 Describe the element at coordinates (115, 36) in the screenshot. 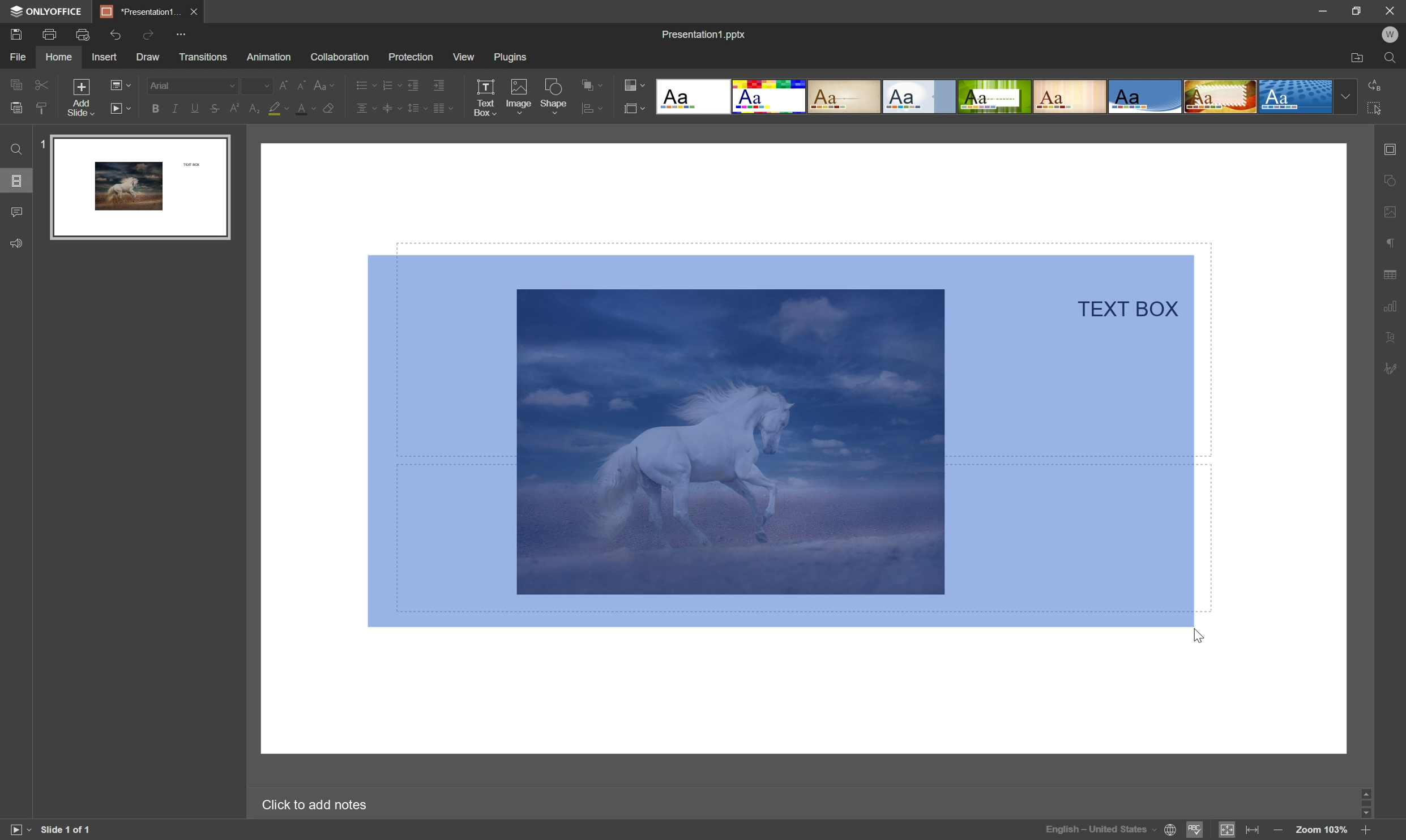

I see `undo` at that location.